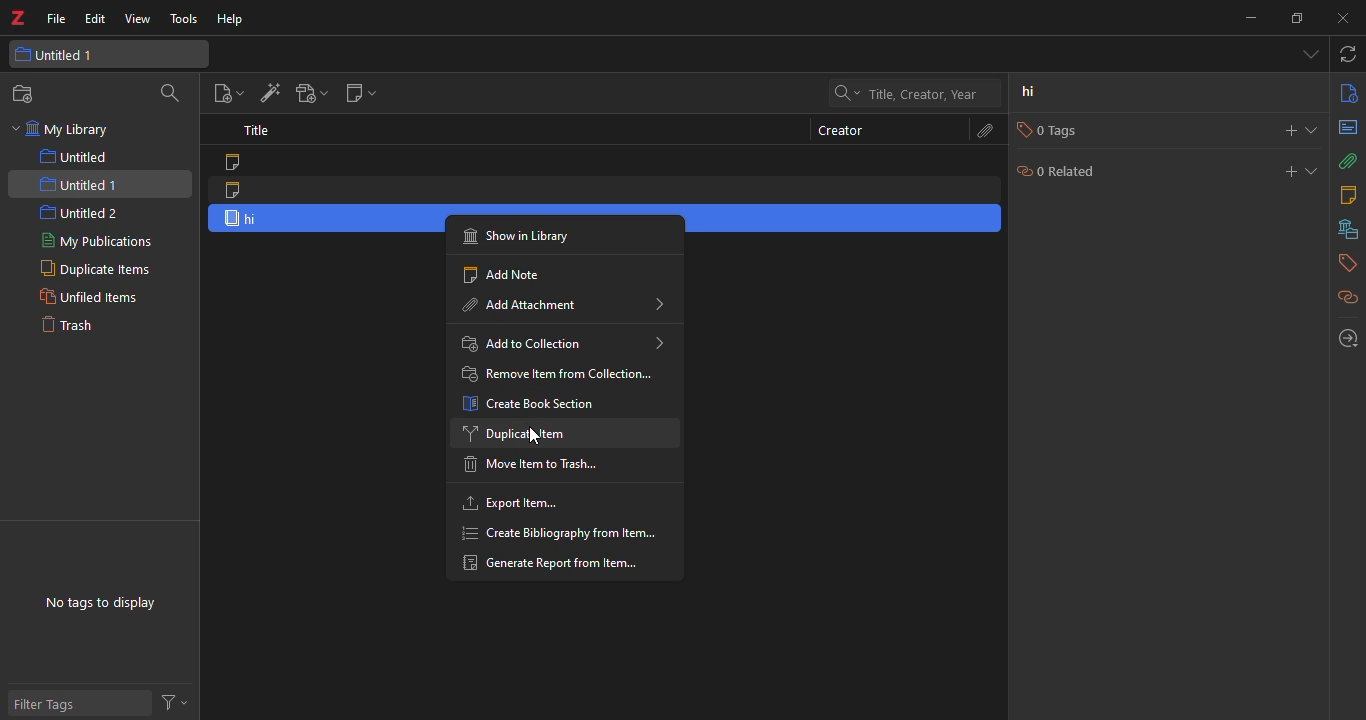  Describe the element at coordinates (234, 21) in the screenshot. I see `help` at that location.